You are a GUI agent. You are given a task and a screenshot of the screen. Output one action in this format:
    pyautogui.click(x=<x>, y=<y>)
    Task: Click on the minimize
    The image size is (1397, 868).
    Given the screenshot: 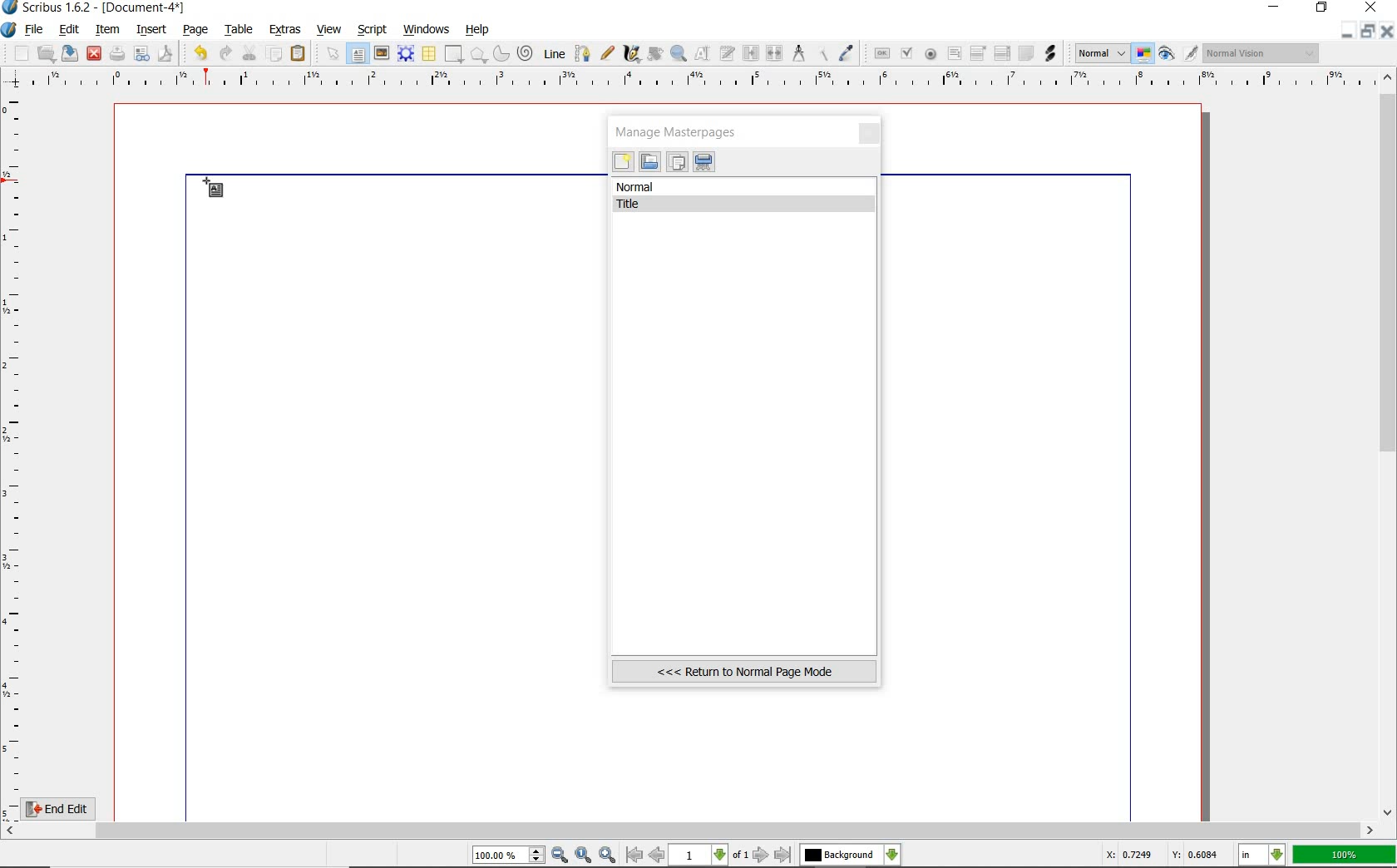 What is the action you would take?
    pyautogui.click(x=1276, y=8)
    